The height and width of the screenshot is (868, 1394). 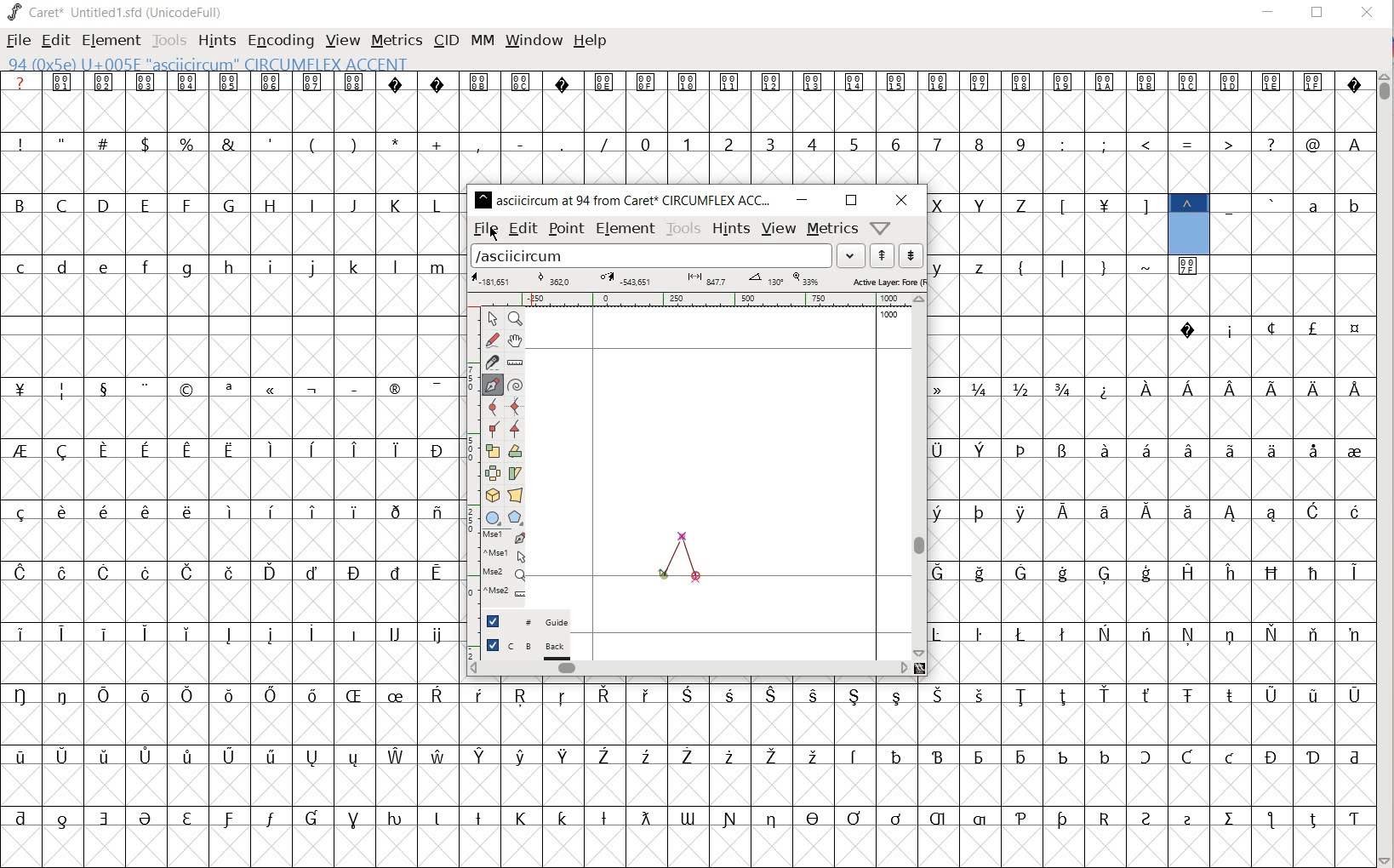 I want to click on window/help, so click(x=878, y=227).